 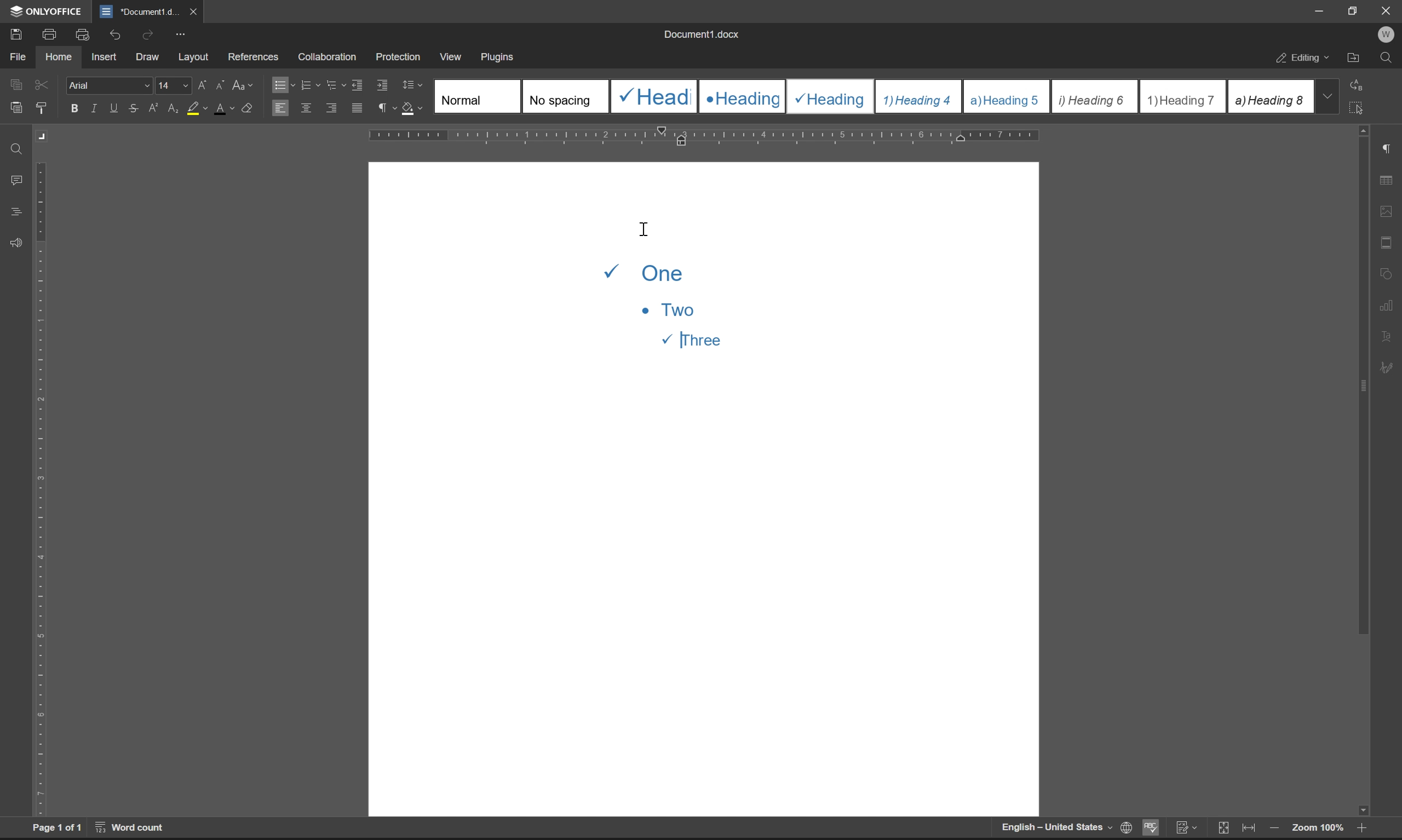 I want to click on drop down, so click(x=1327, y=96).